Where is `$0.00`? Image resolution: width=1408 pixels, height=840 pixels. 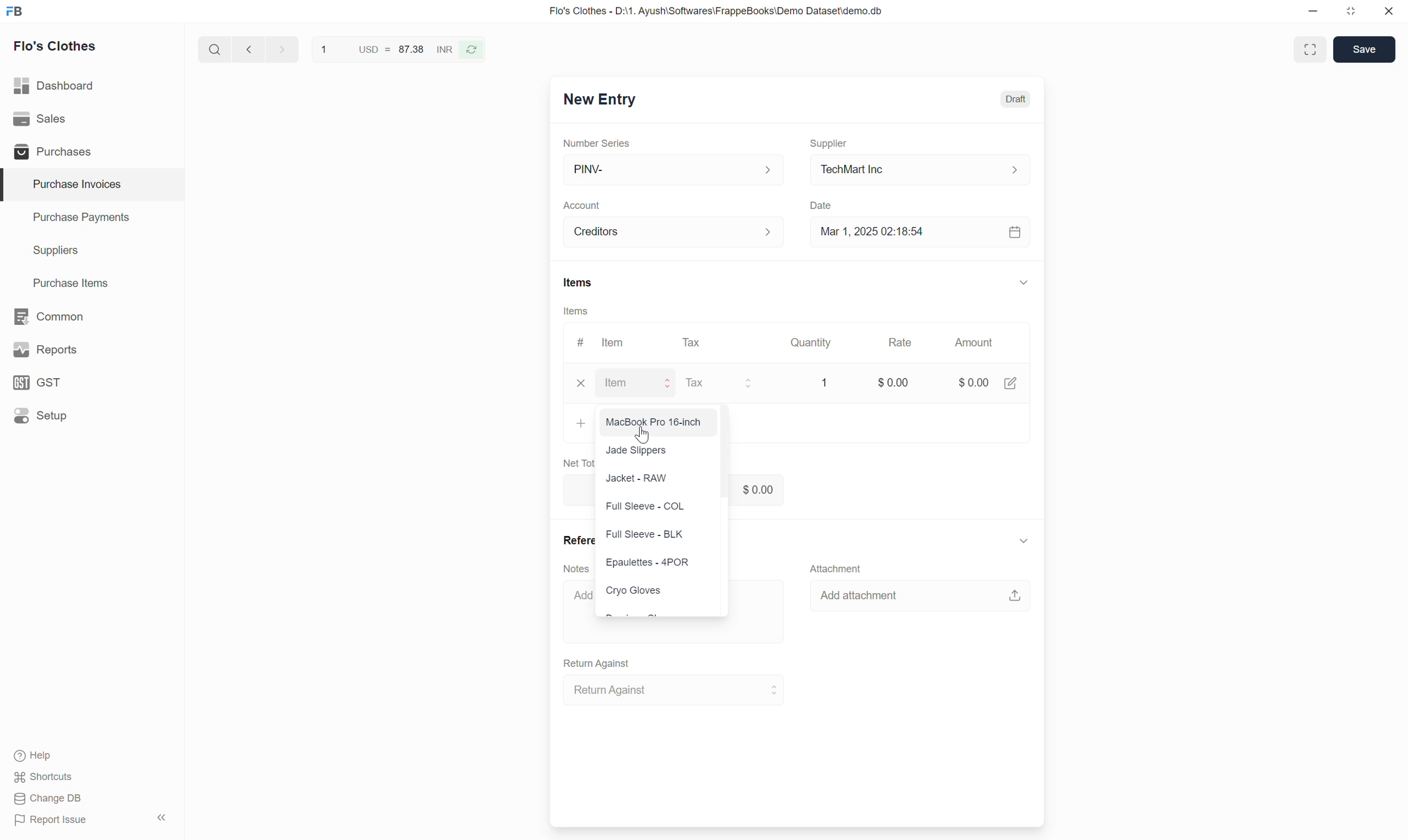
$0.00 is located at coordinates (988, 379).